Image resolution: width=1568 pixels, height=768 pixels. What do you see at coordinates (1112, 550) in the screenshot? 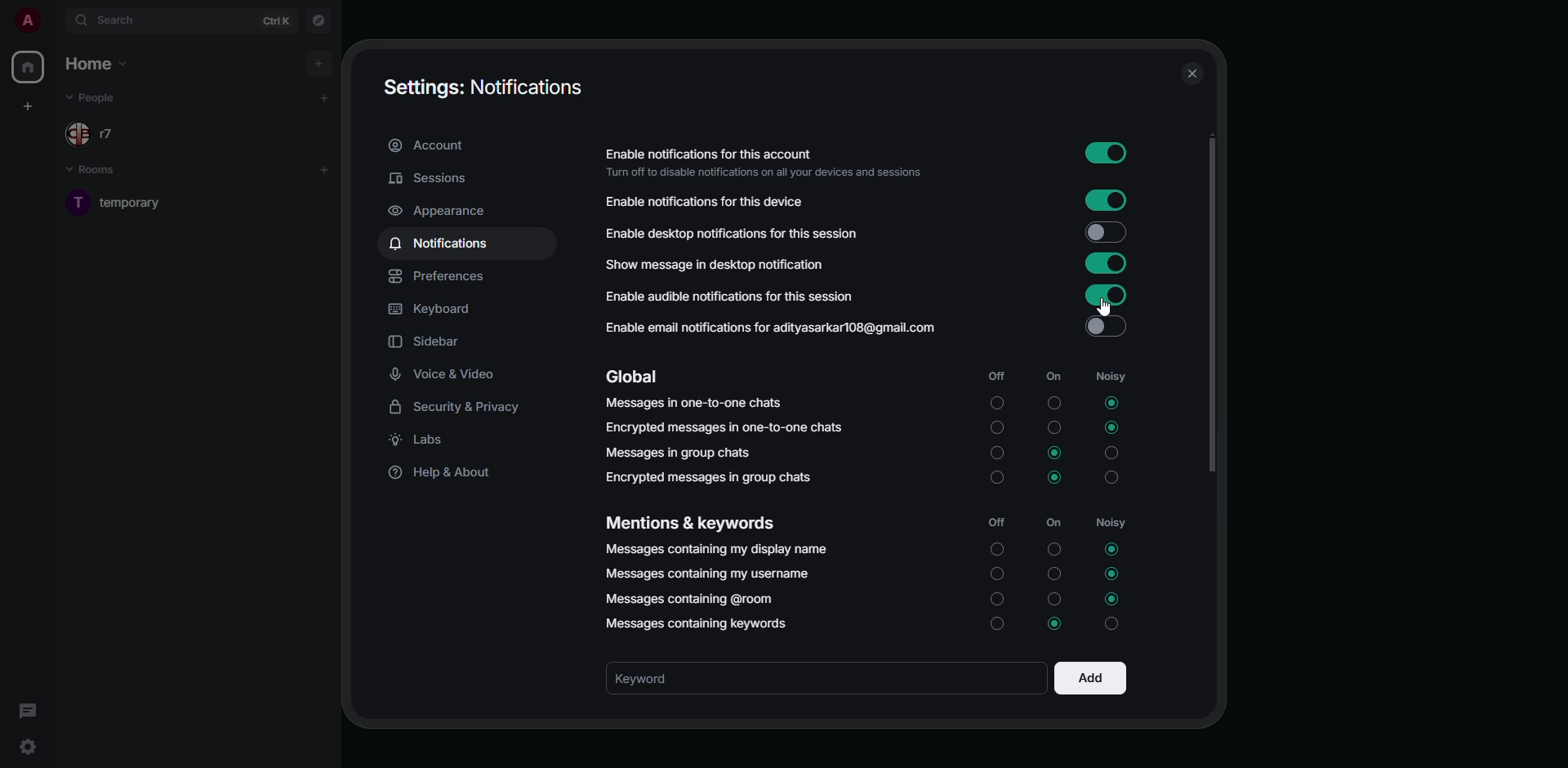
I see `selected` at bounding box center [1112, 550].